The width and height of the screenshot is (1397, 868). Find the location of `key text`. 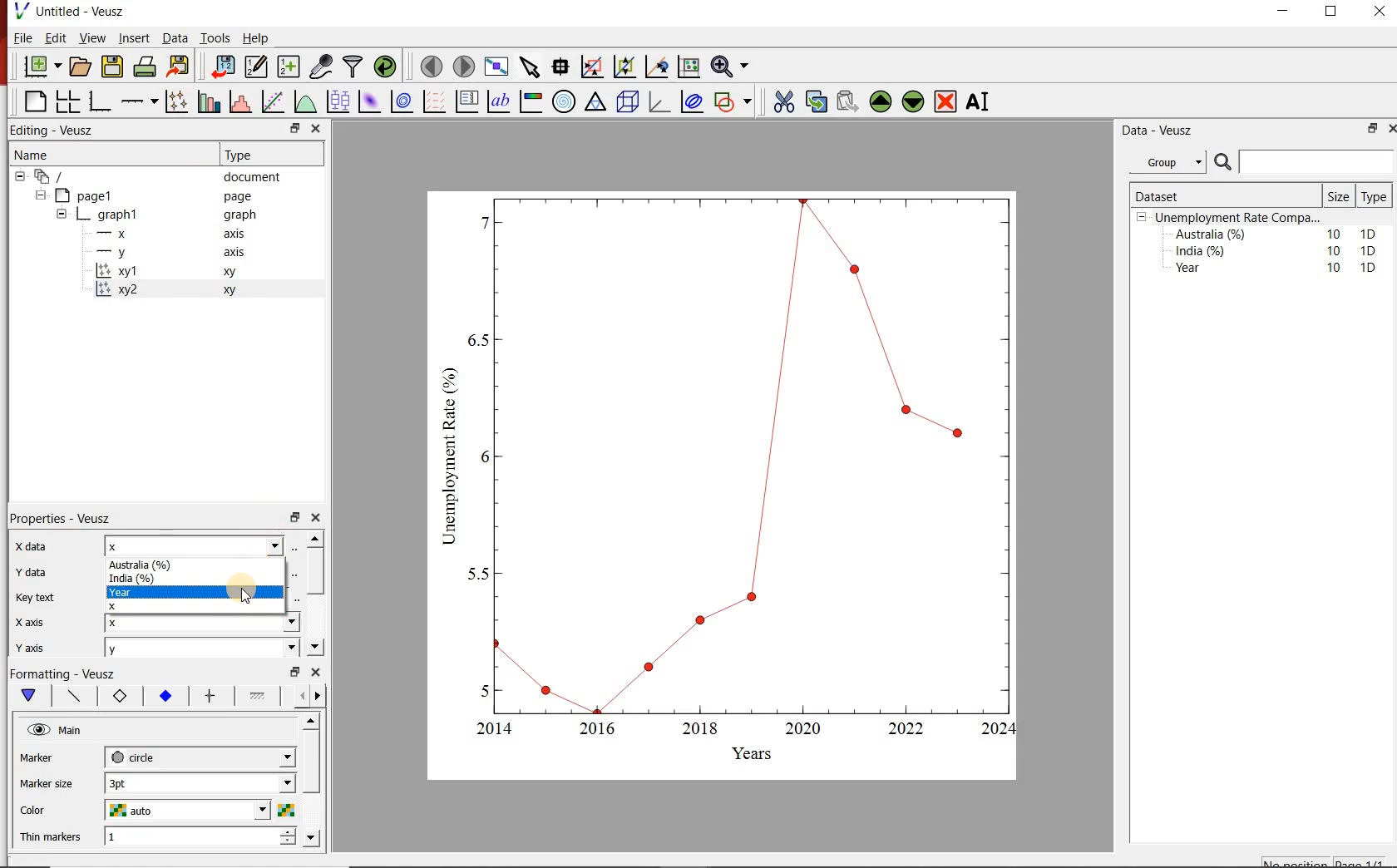

key text is located at coordinates (34, 598).